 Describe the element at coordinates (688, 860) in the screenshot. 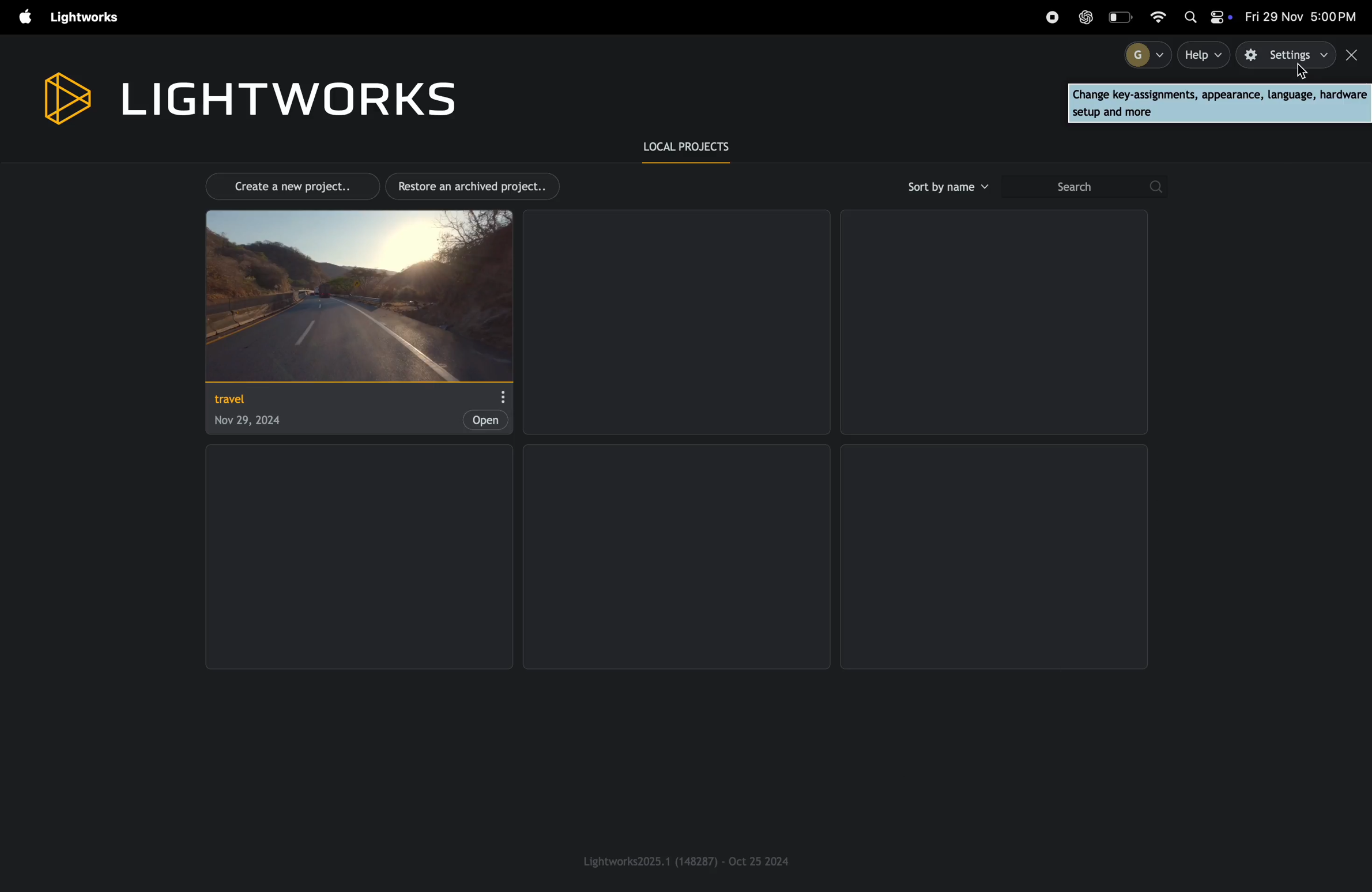

I see `light works version` at that location.